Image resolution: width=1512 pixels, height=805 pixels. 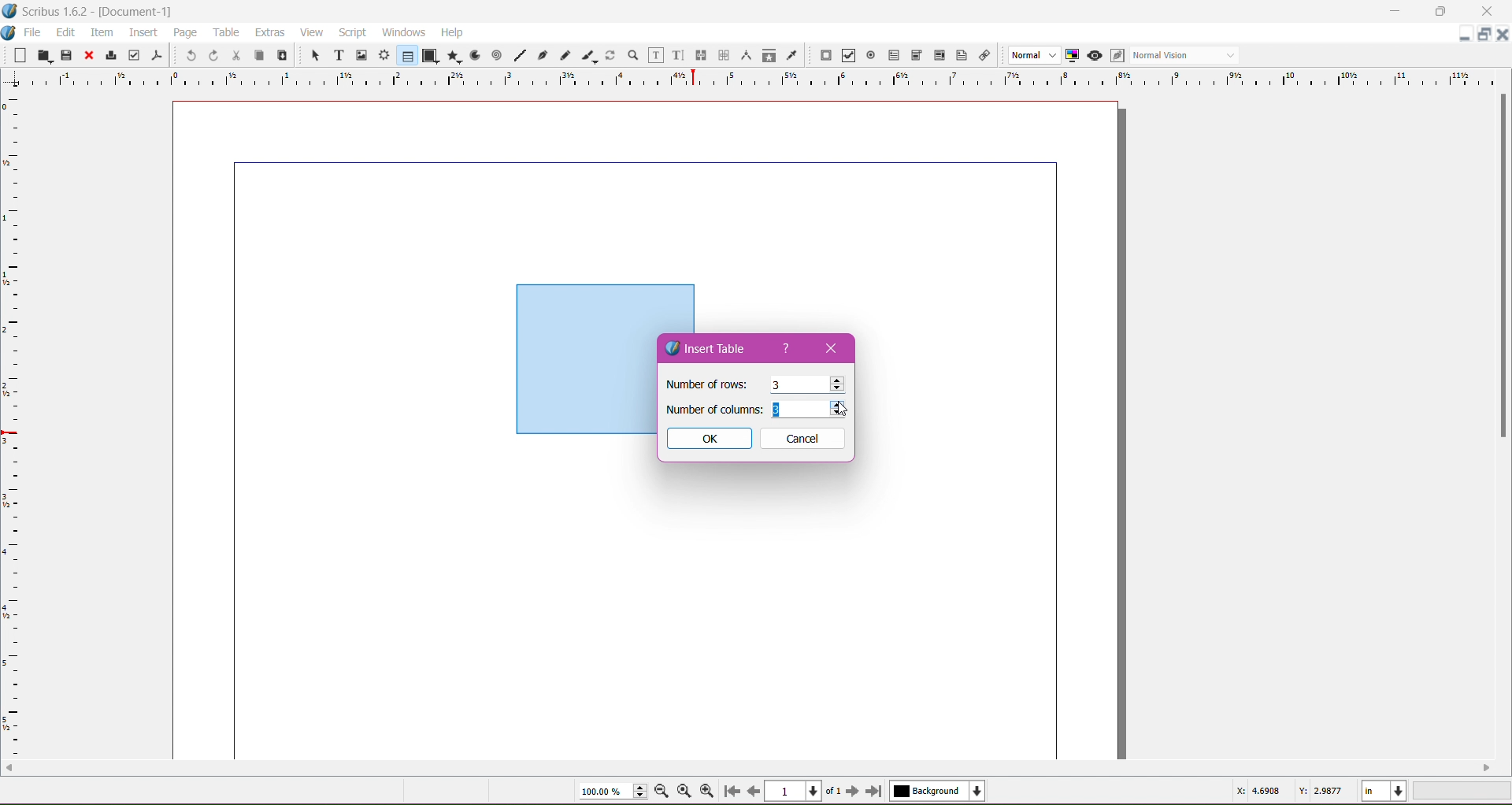 I want to click on Normal   Vision, so click(x=1186, y=54).